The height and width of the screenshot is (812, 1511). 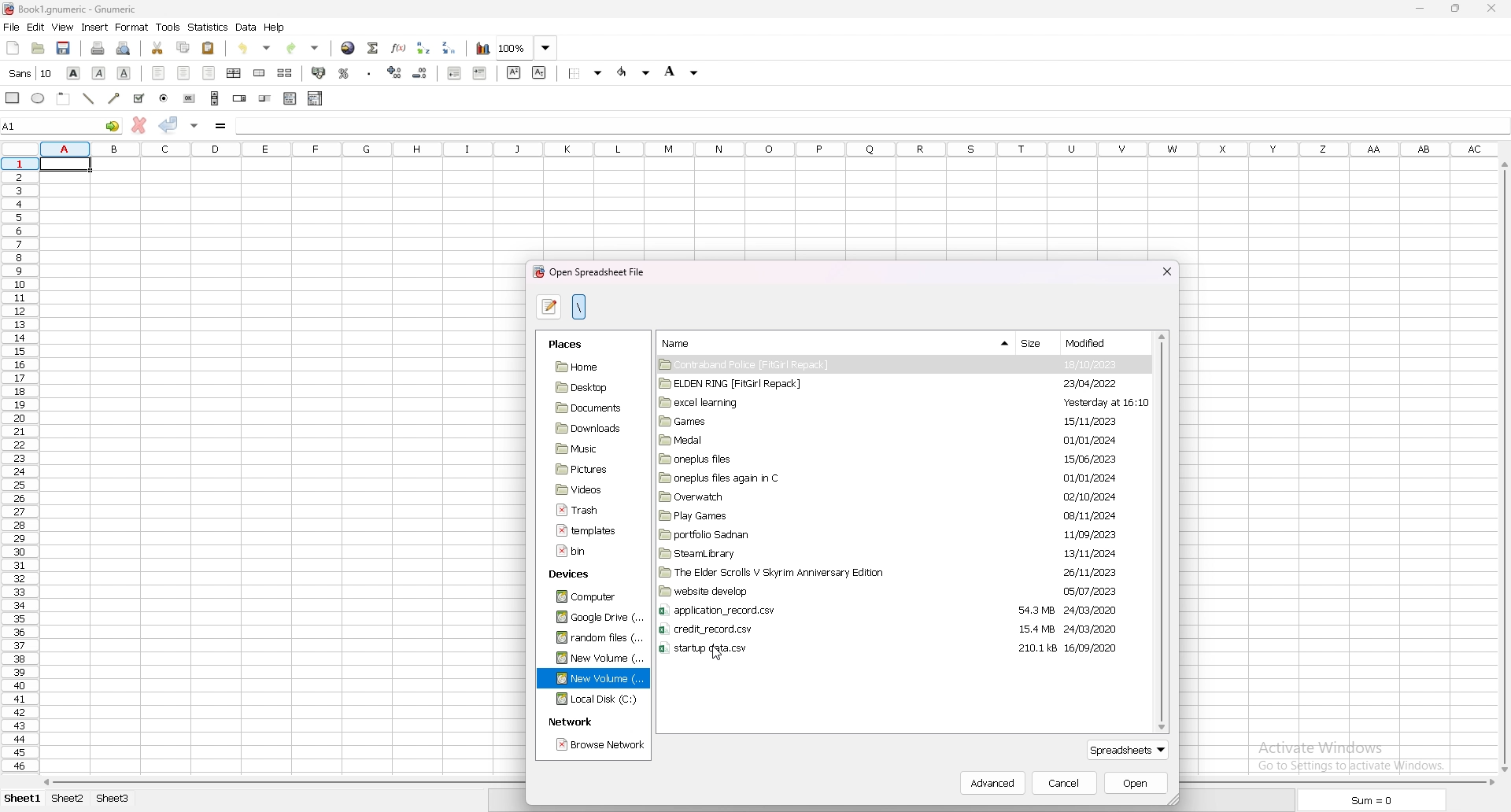 What do you see at coordinates (1085, 572) in the screenshot?
I see `25/11/2023` at bounding box center [1085, 572].